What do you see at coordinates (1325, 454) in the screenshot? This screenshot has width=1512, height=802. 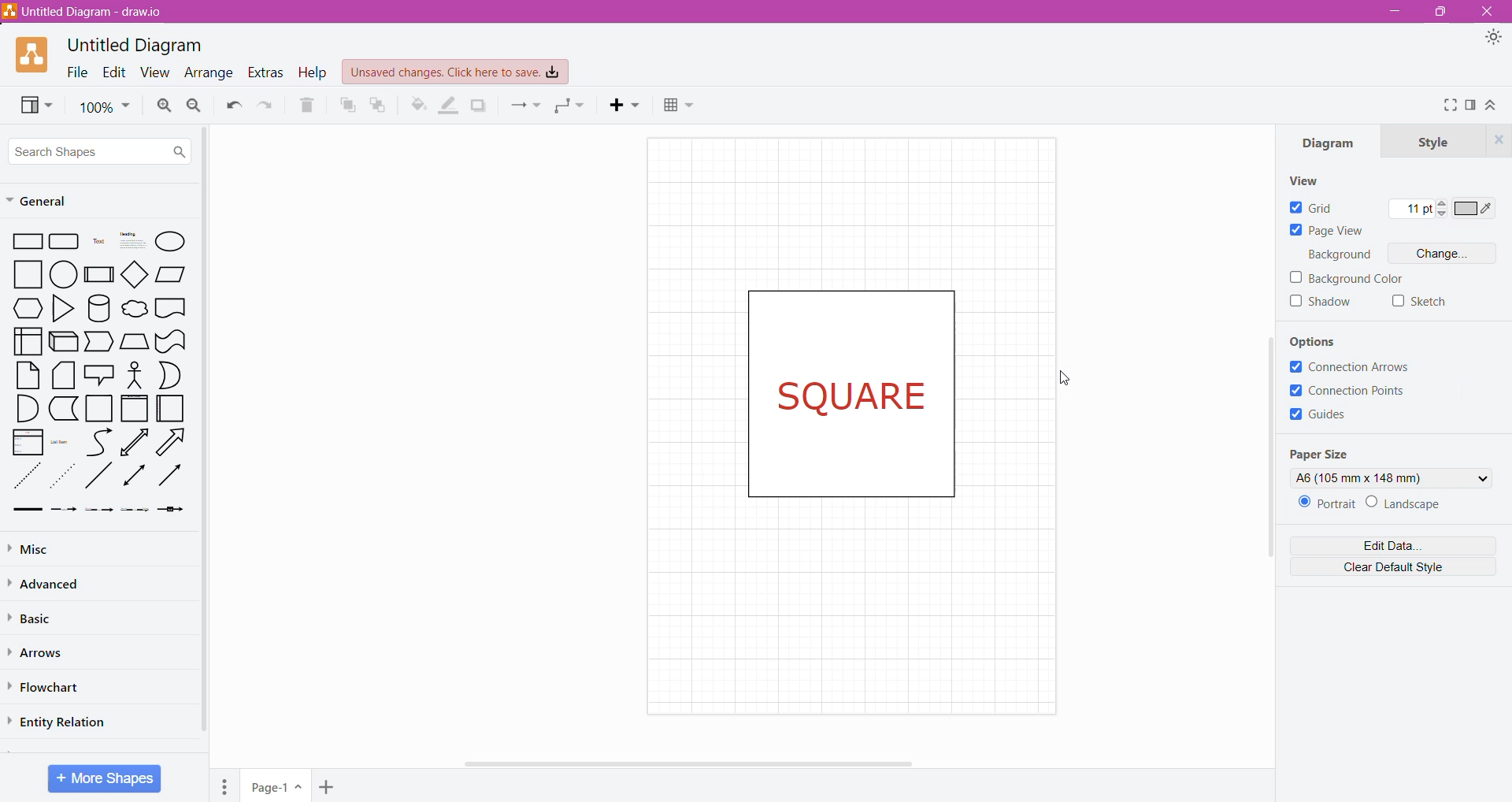 I see `Page Size` at bounding box center [1325, 454].